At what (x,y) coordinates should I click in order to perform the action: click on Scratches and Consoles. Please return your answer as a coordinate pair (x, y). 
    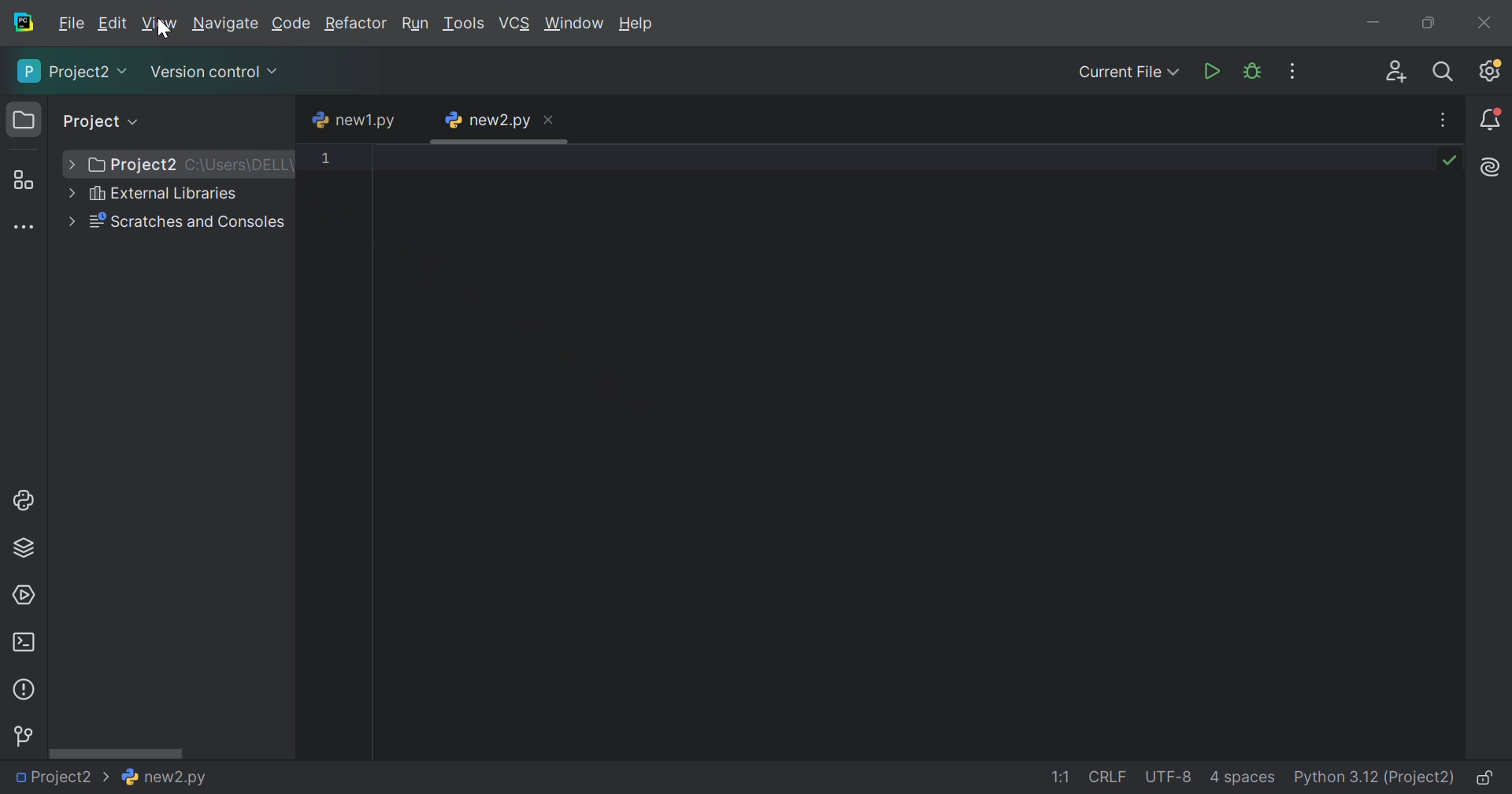
    Looking at the image, I should click on (188, 222).